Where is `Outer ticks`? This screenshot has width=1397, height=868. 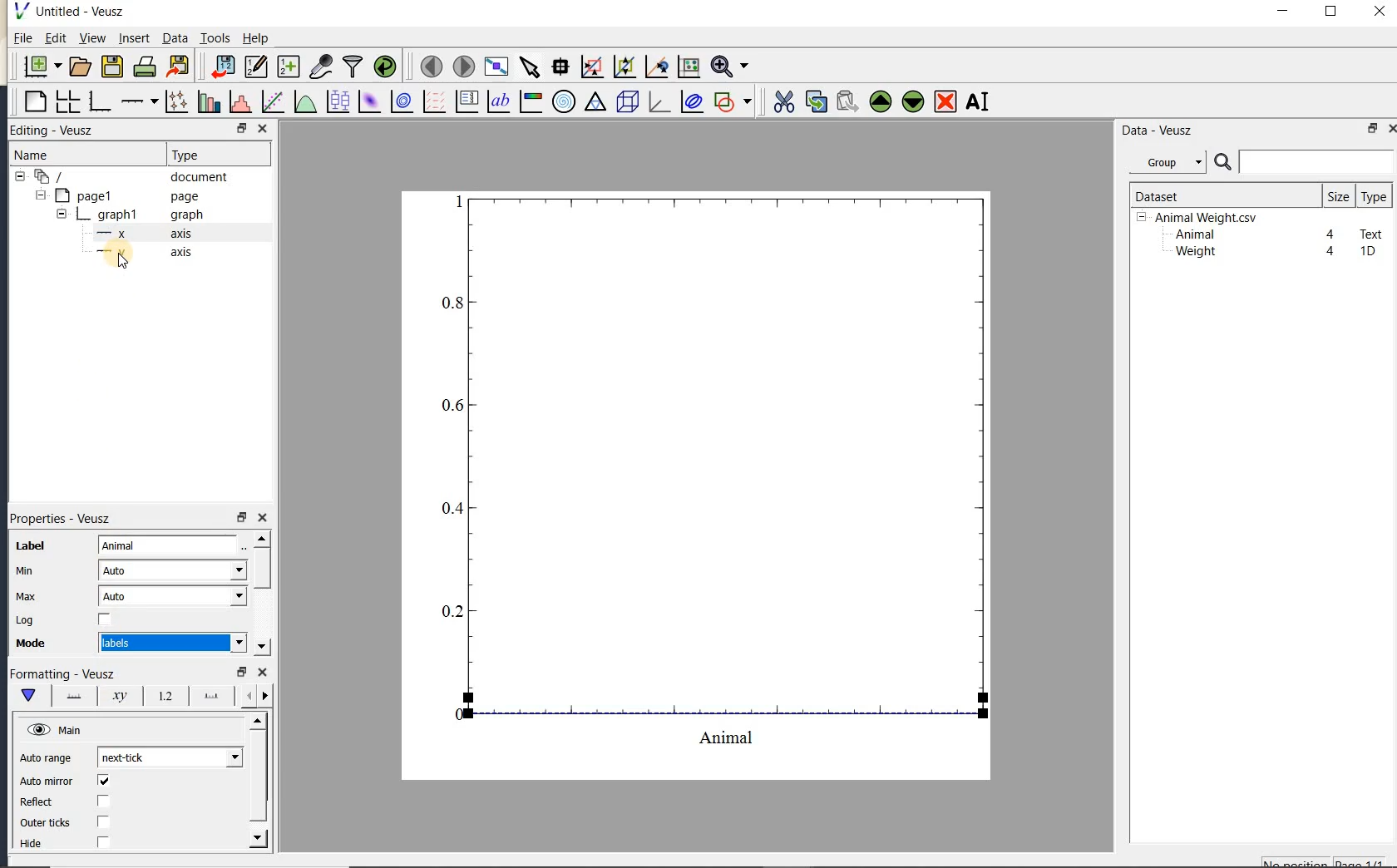
Outer ticks is located at coordinates (47, 822).